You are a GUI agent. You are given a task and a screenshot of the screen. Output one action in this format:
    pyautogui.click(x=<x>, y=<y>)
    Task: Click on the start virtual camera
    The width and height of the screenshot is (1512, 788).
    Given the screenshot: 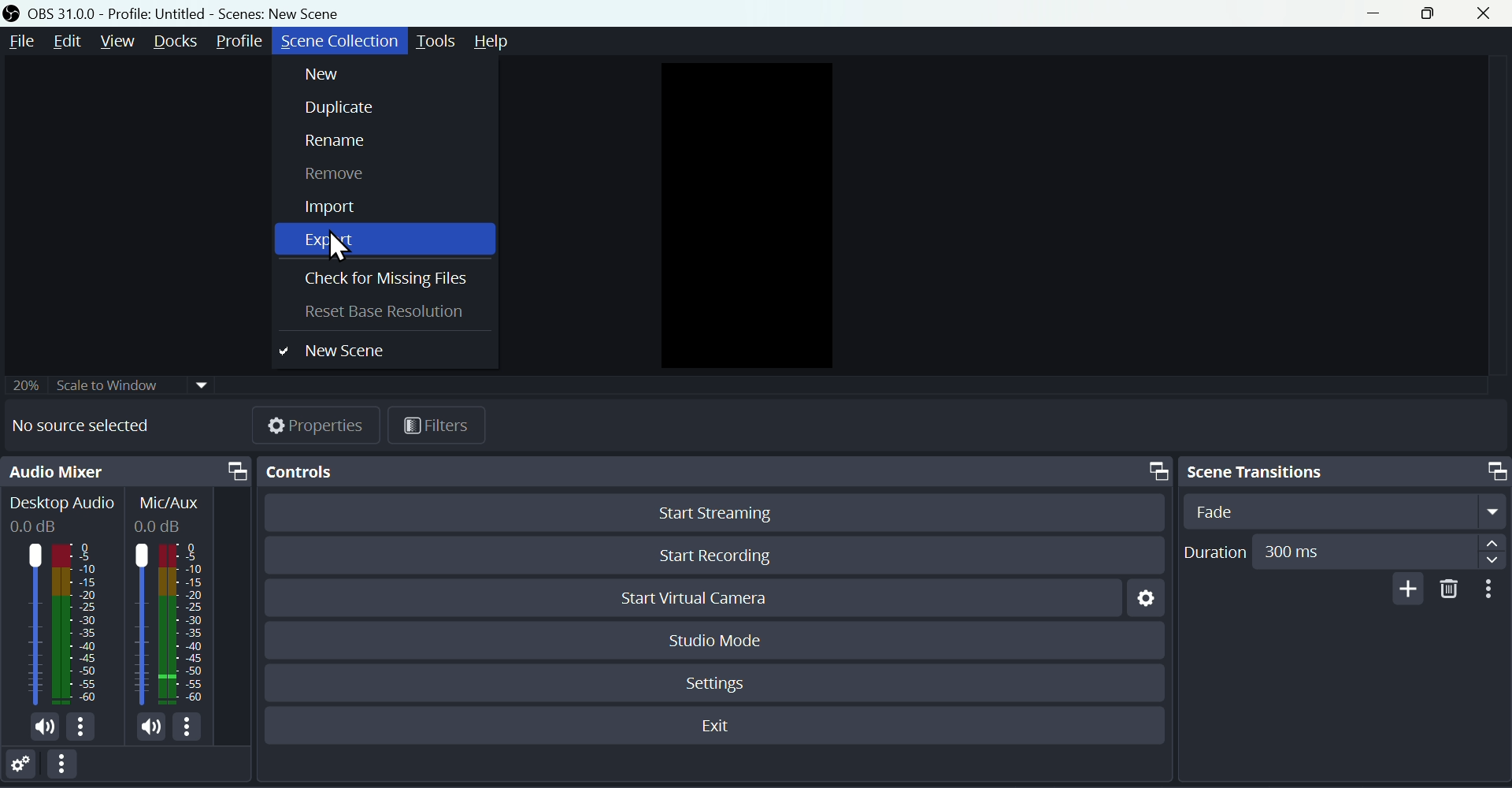 What is the action you would take?
    pyautogui.click(x=707, y=600)
    